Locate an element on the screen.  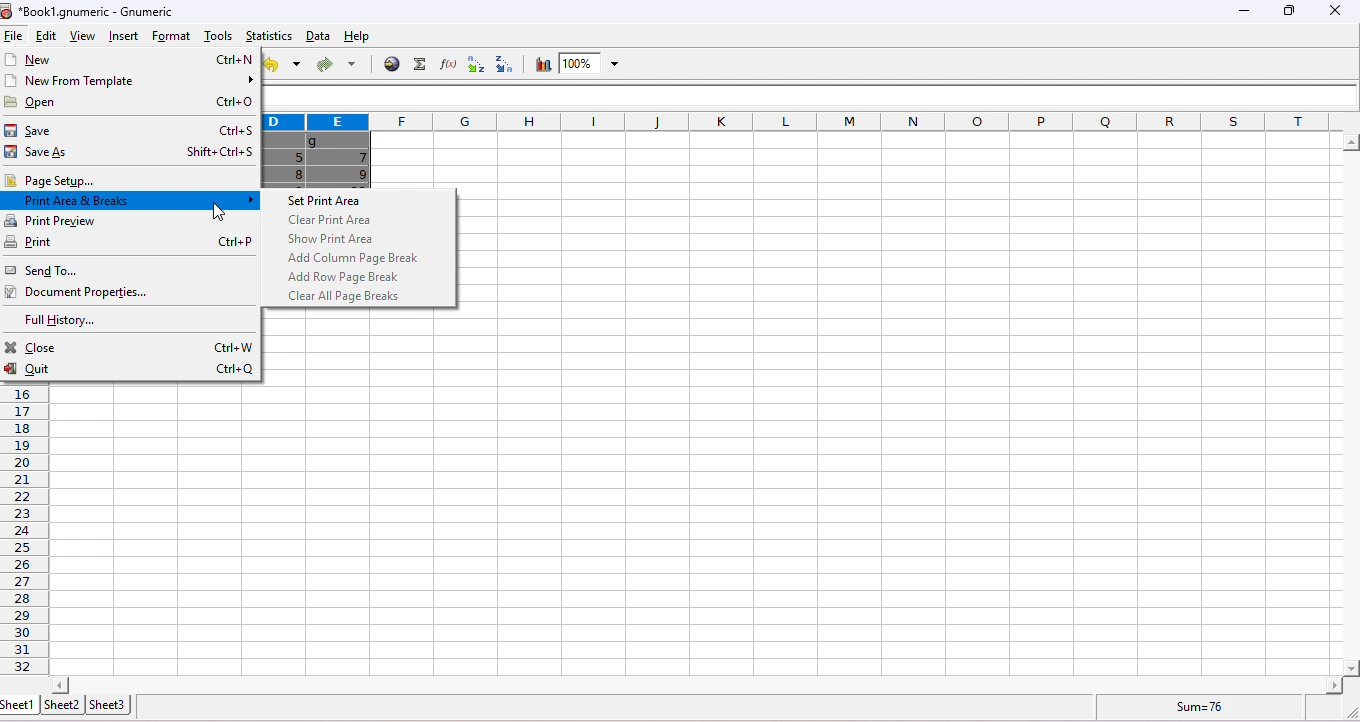
edit is located at coordinates (43, 37).